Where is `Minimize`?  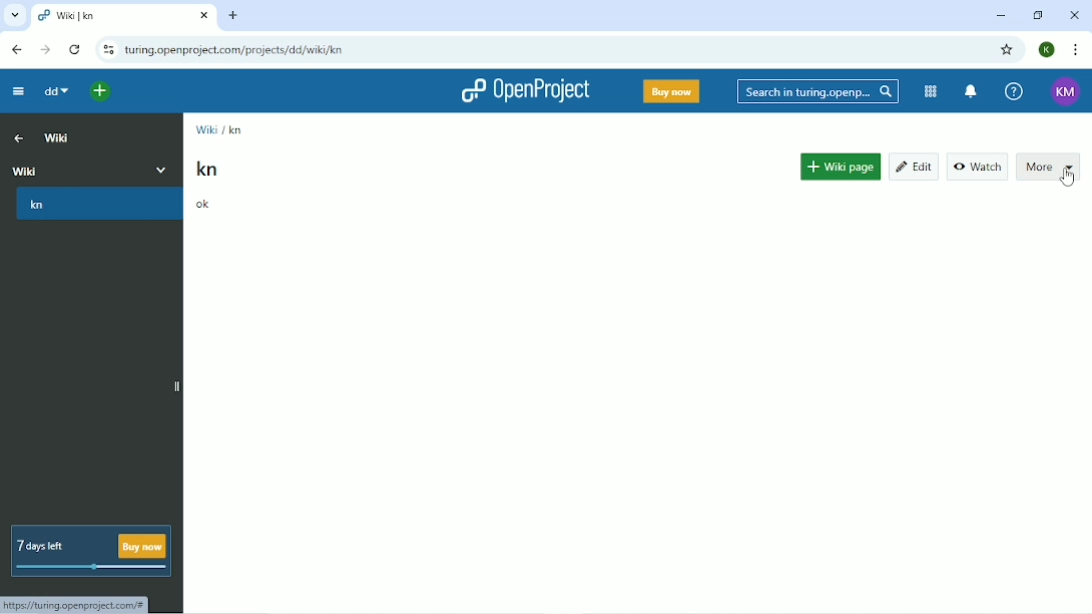
Minimize is located at coordinates (999, 15).